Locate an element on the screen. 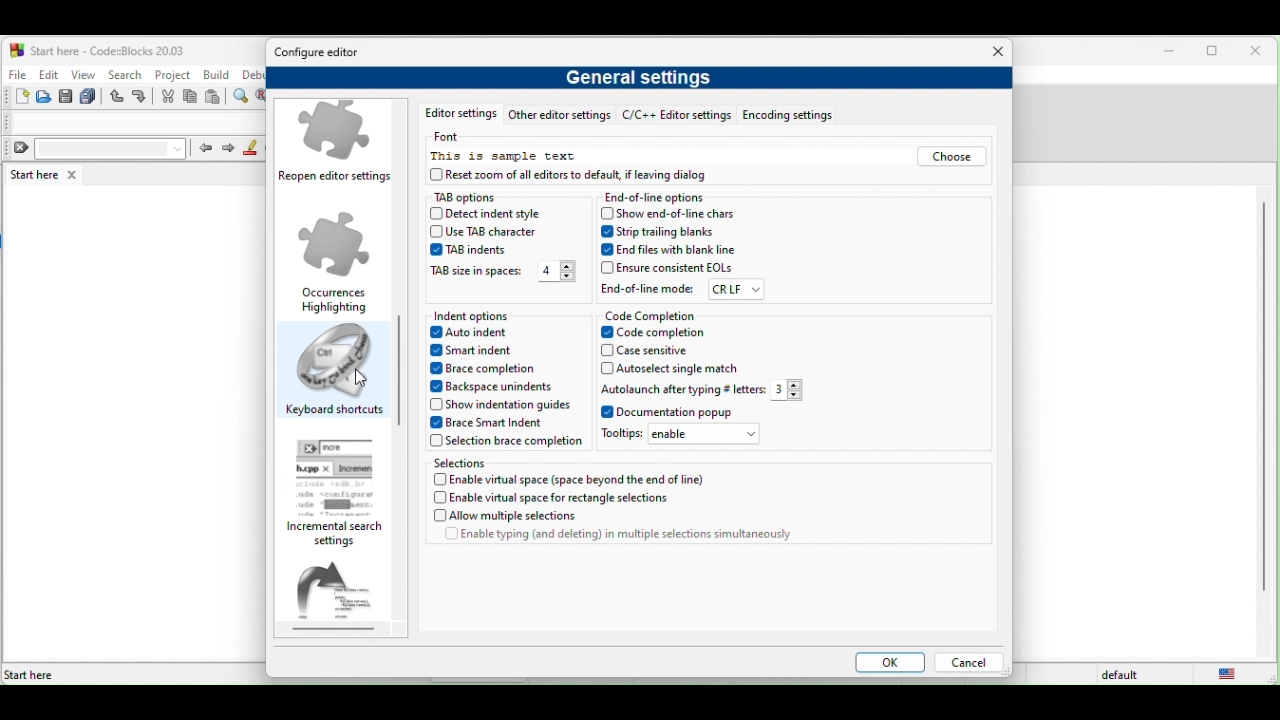  next  is located at coordinates (228, 149).